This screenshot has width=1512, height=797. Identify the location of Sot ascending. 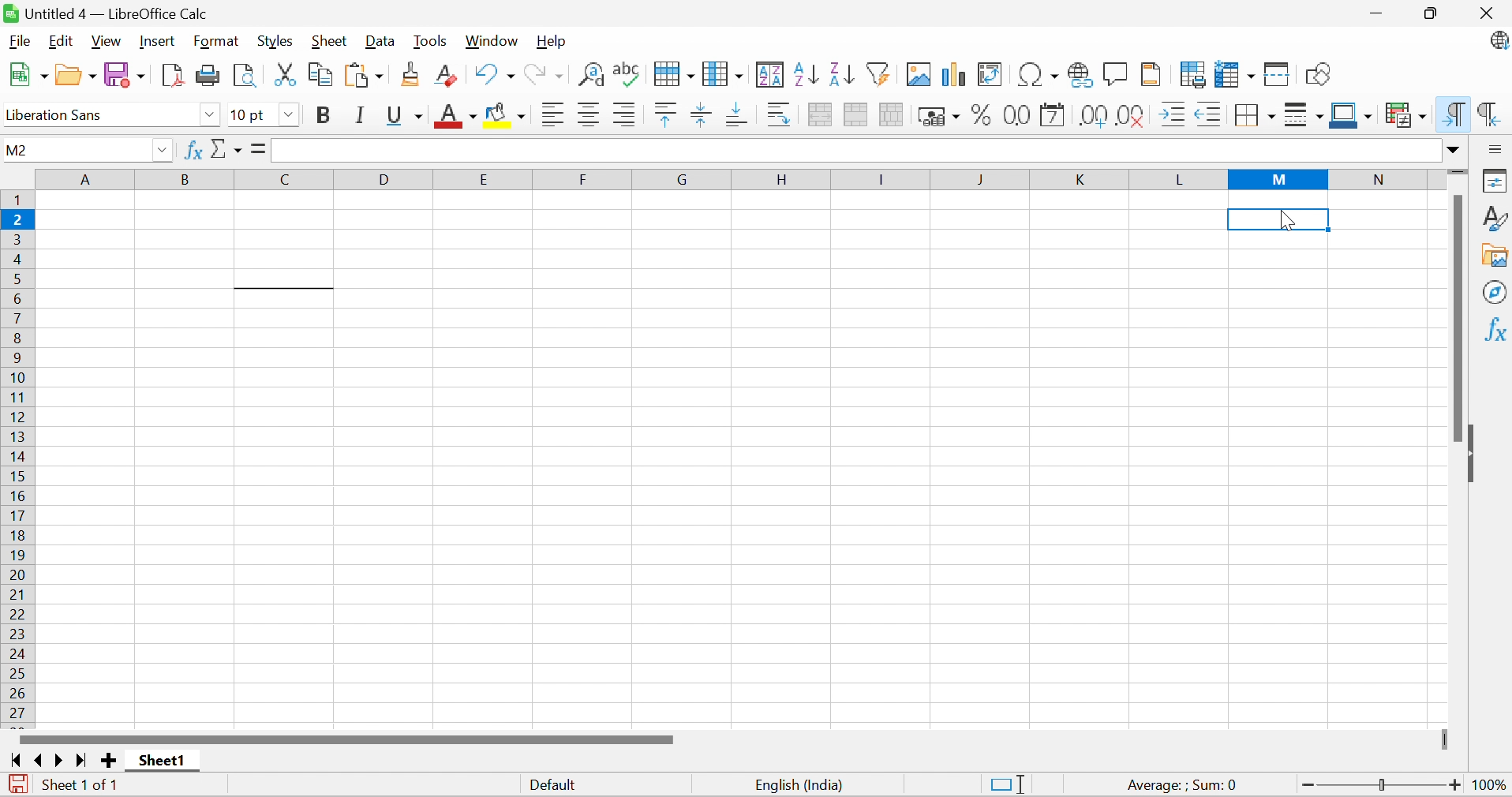
(807, 73).